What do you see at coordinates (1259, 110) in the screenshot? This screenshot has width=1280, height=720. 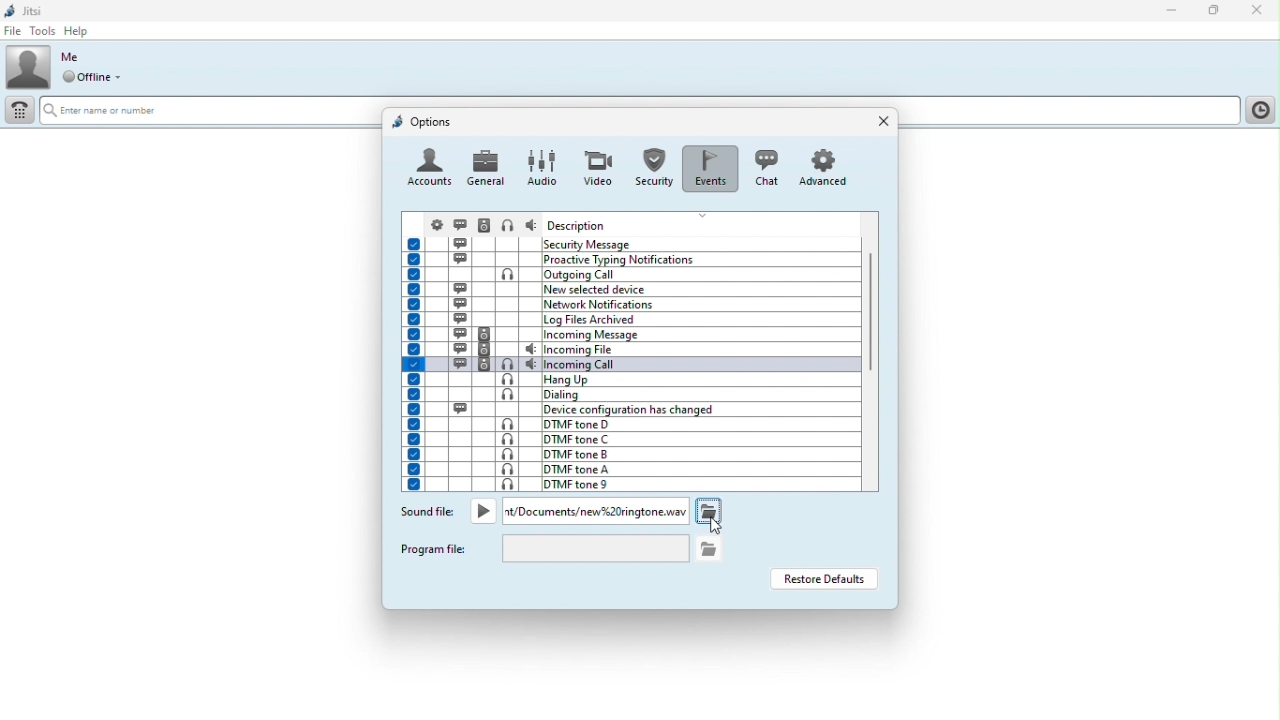 I see `History` at bounding box center [1259, 110].